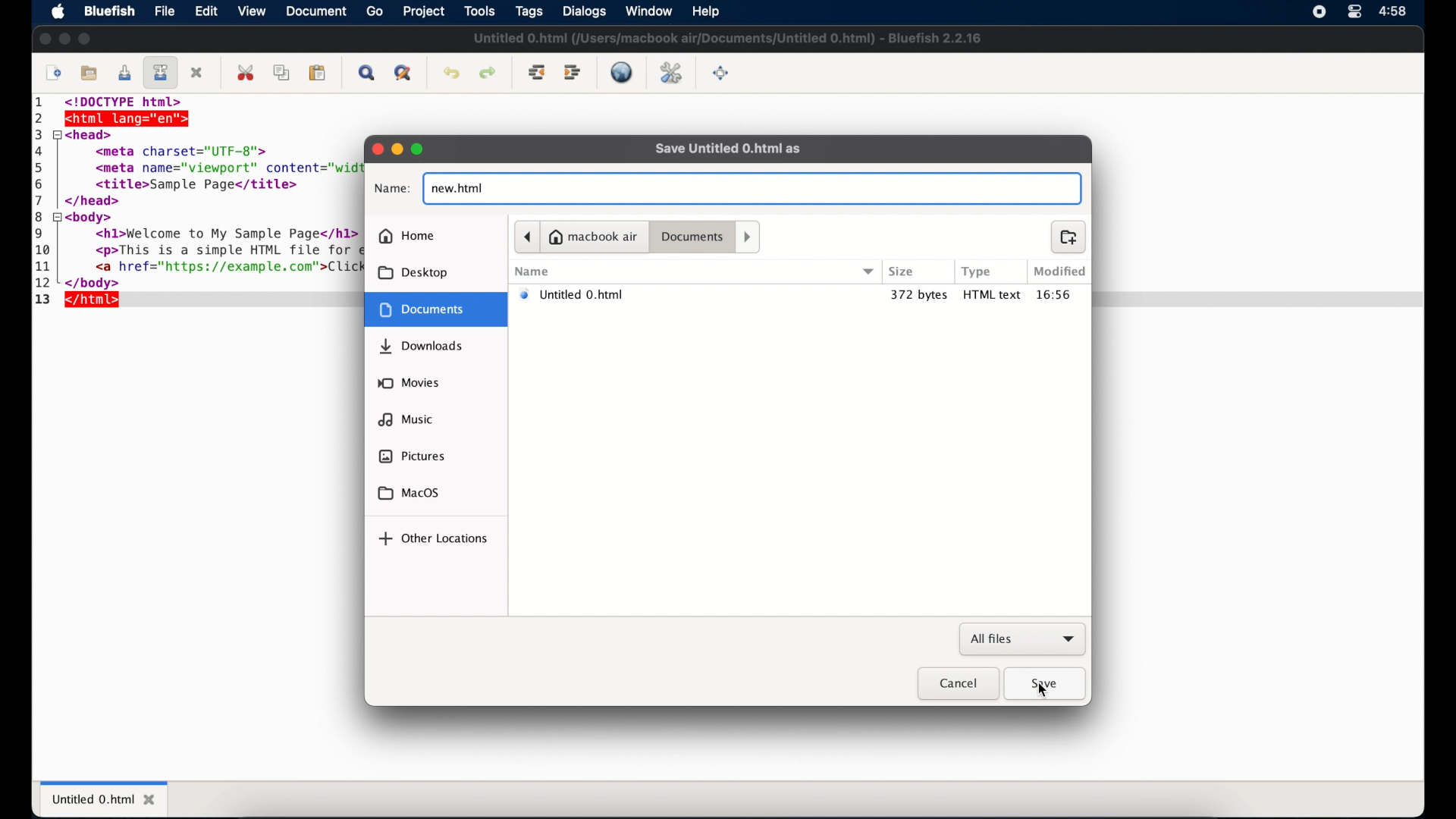 Image resolution: width=1456 pixels, height=819 pixels. I want to click on untitled file name, so click(726, 38).